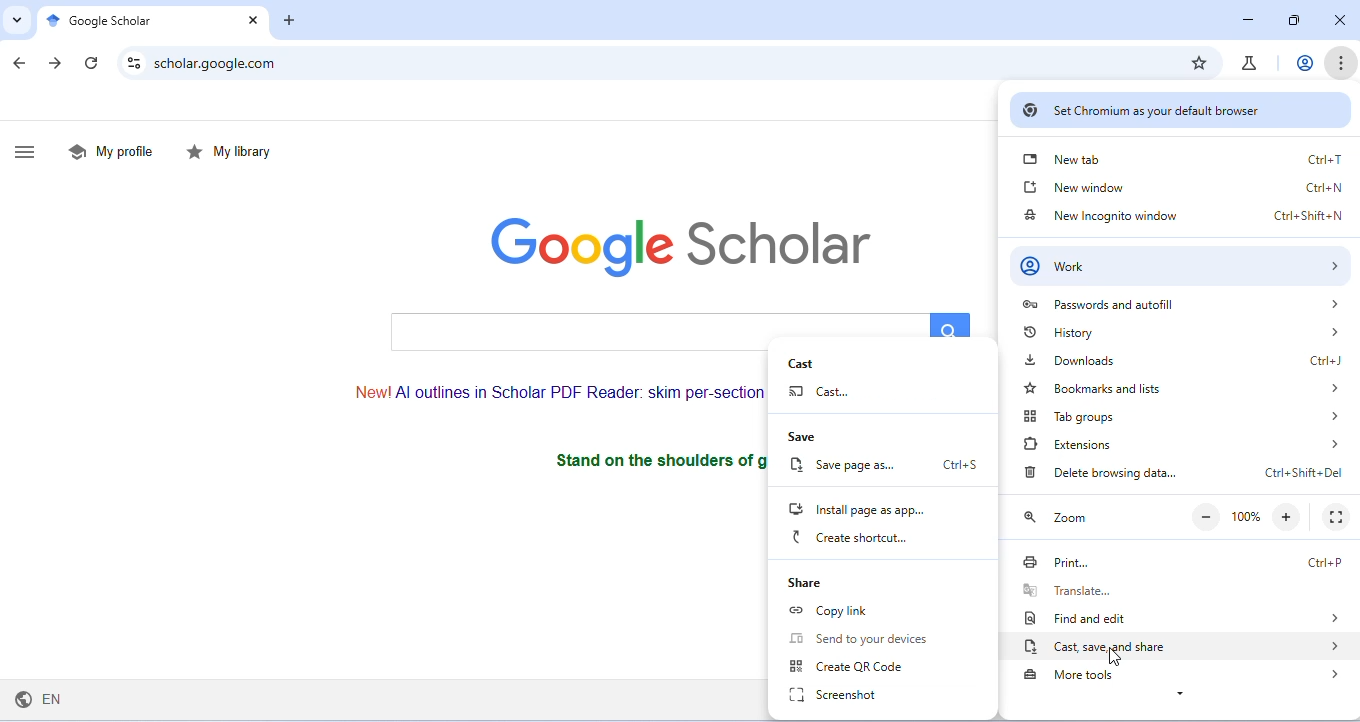 The width and height of the screenshot is (1360, 722). I want to click on refresh, so click(91, 64).